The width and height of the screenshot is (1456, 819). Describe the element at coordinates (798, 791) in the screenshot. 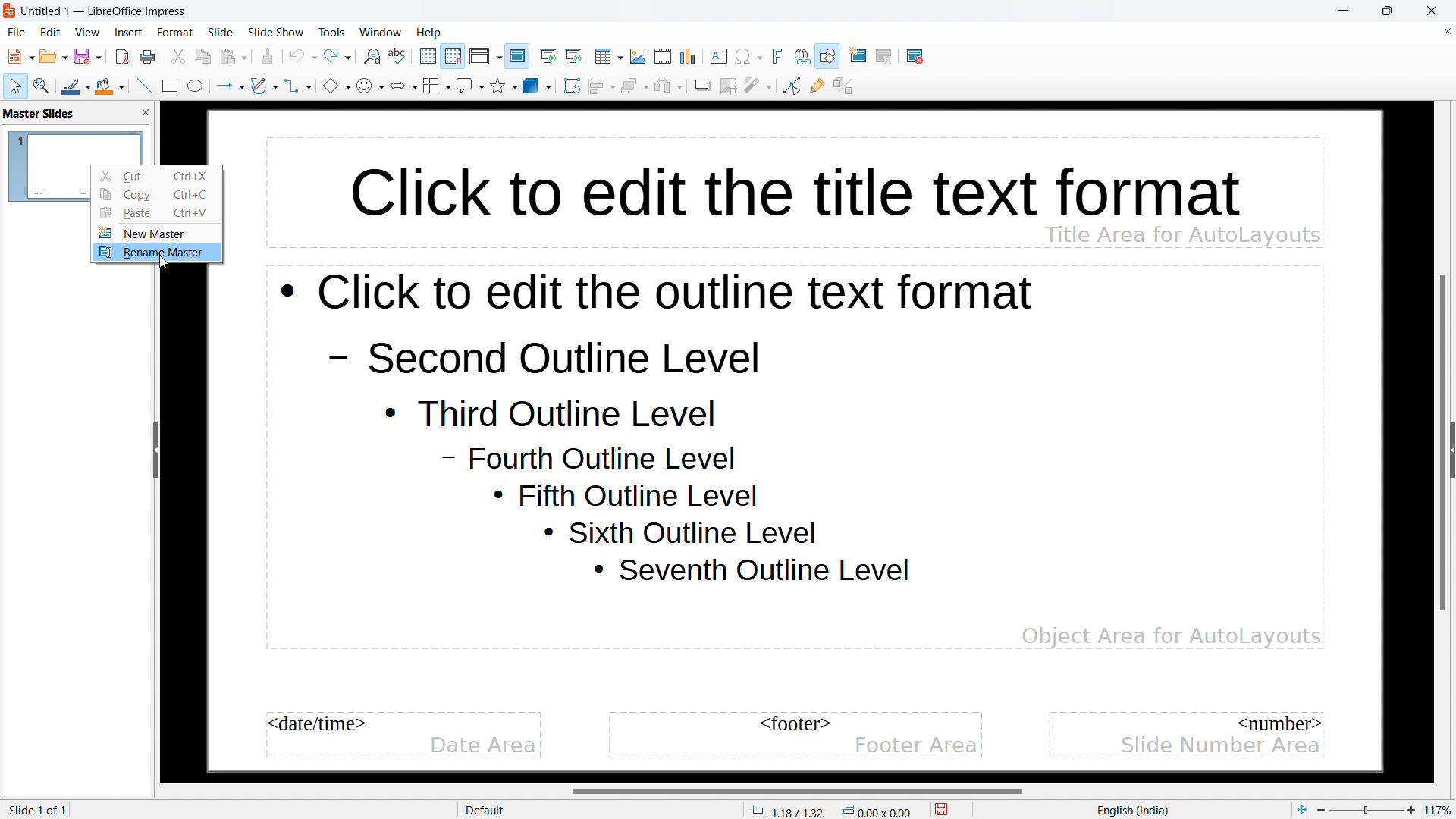

I see `horizontal scrollbar` at that location.